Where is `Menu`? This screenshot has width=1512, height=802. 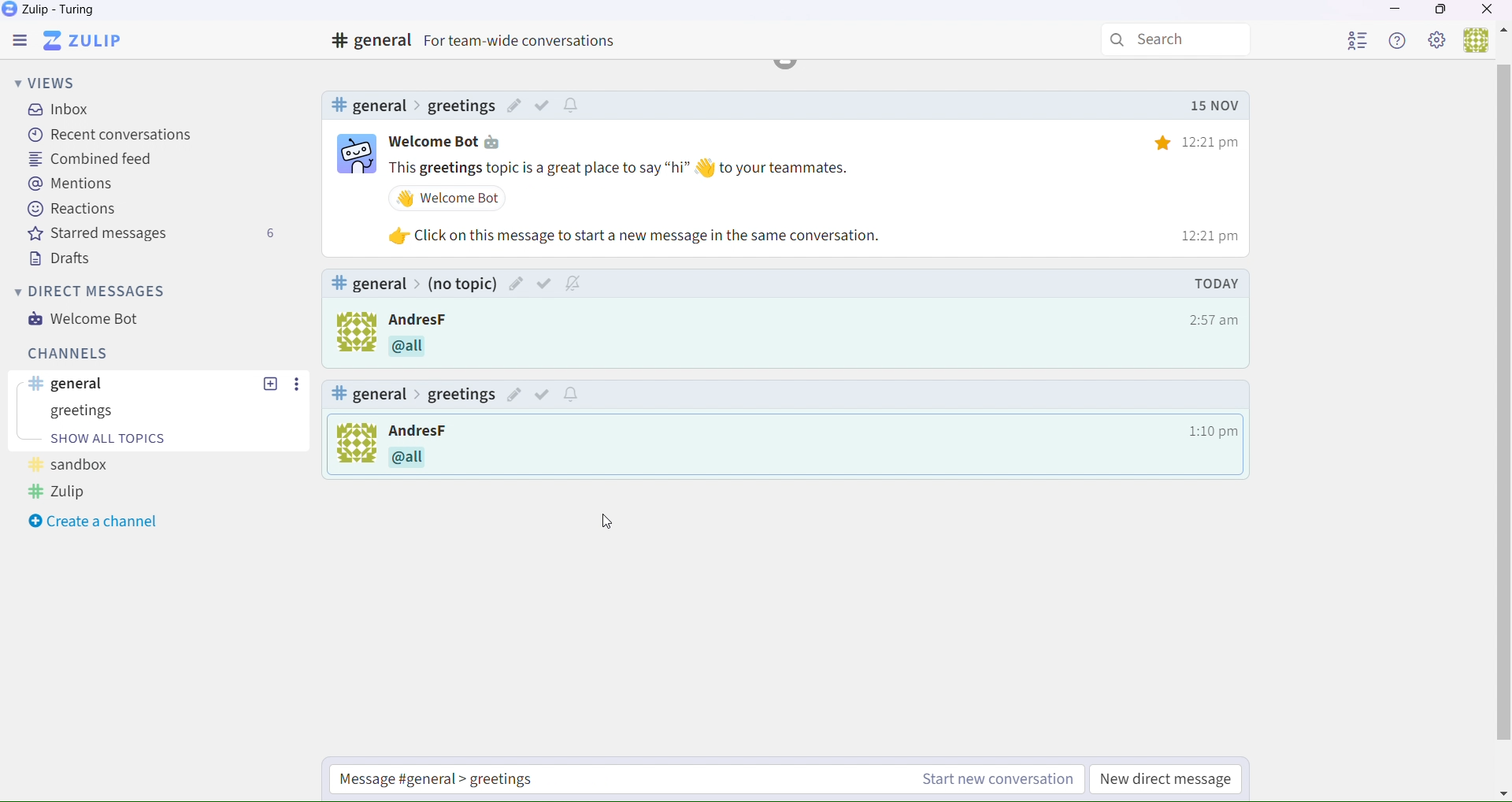
Menu is located at coordinates (24, 39).